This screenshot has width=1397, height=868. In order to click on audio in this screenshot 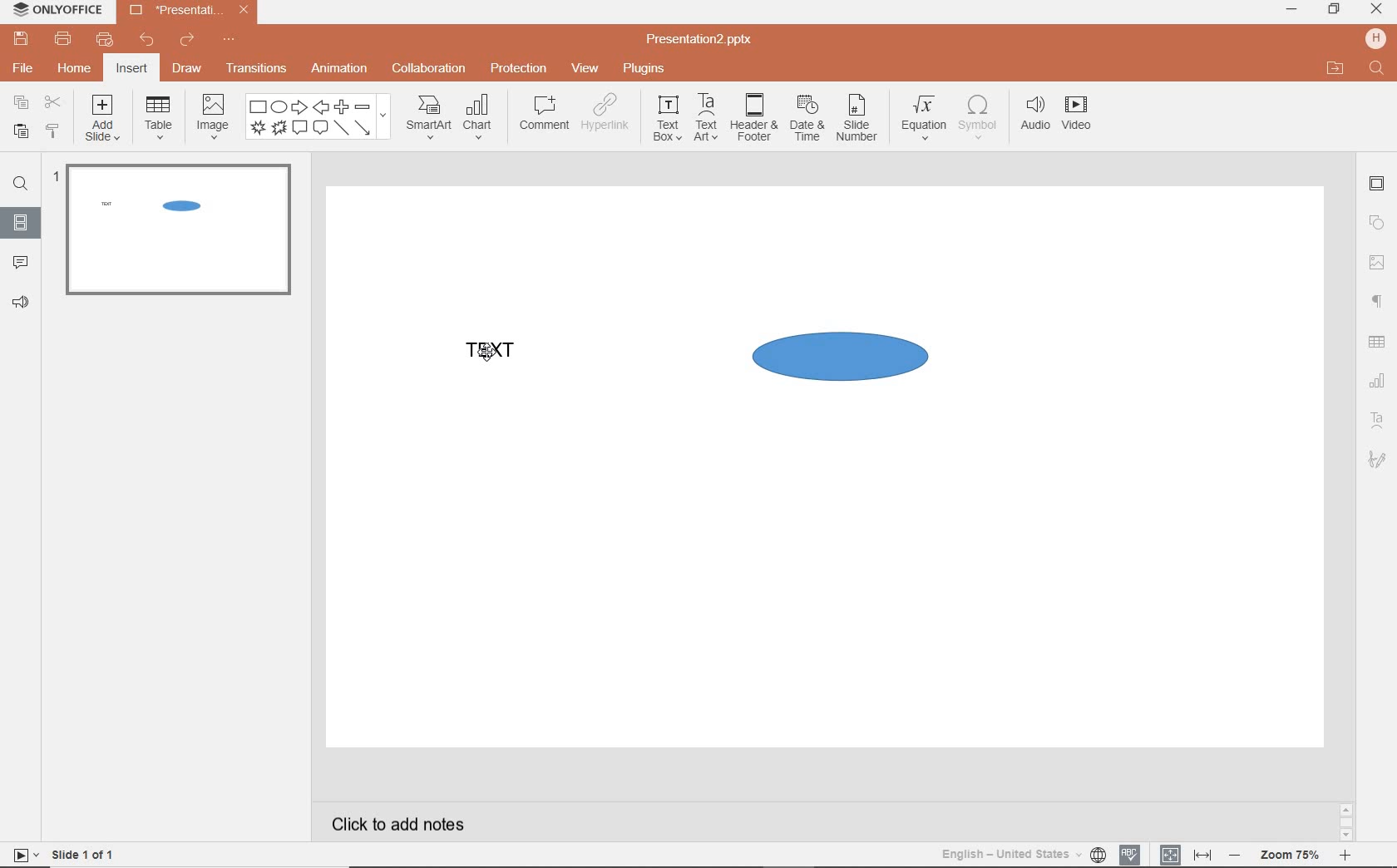, I will do `click(1032, 117)`.